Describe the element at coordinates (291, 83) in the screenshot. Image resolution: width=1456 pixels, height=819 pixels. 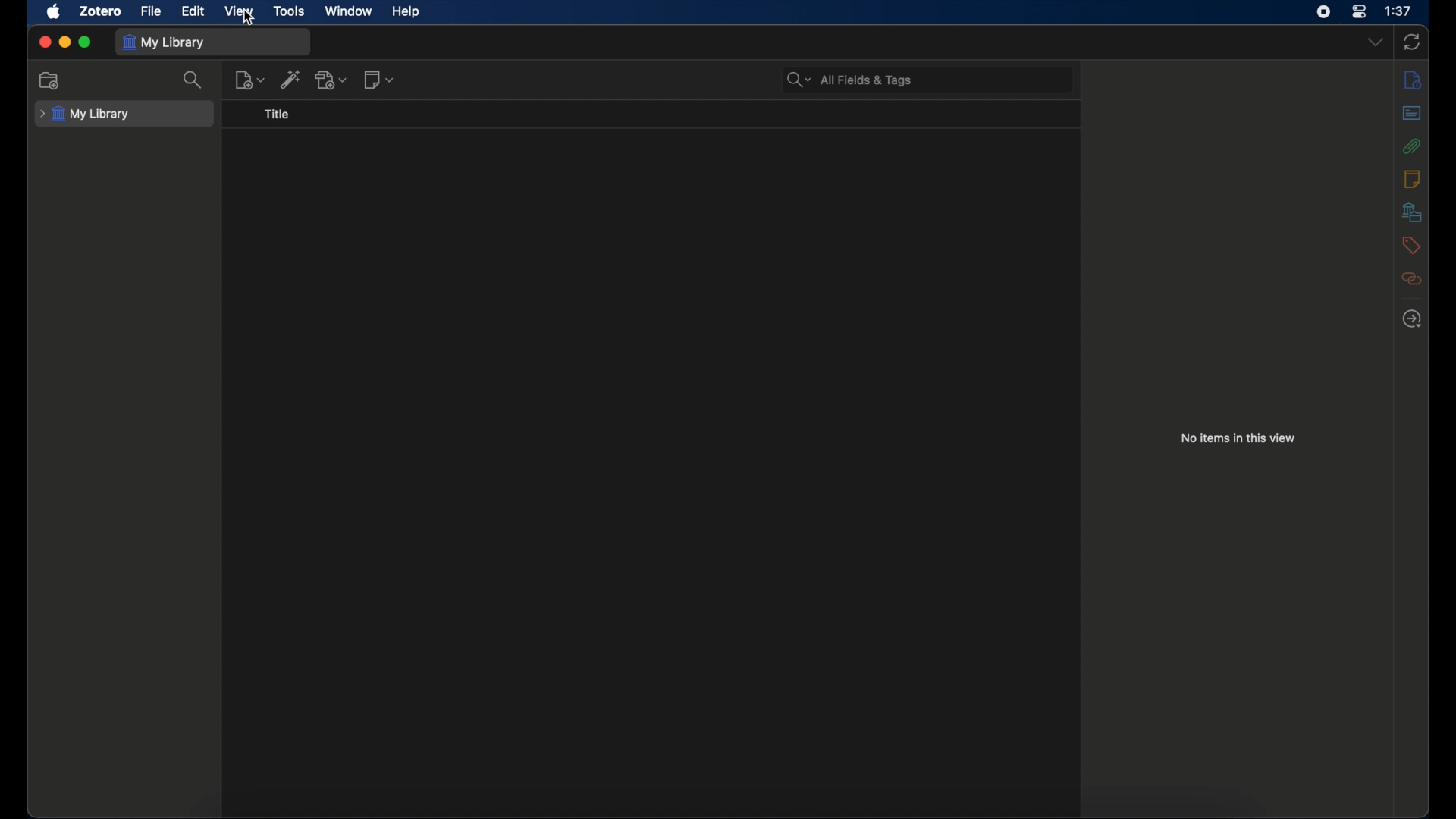
I see `add item by identifier` at that location.